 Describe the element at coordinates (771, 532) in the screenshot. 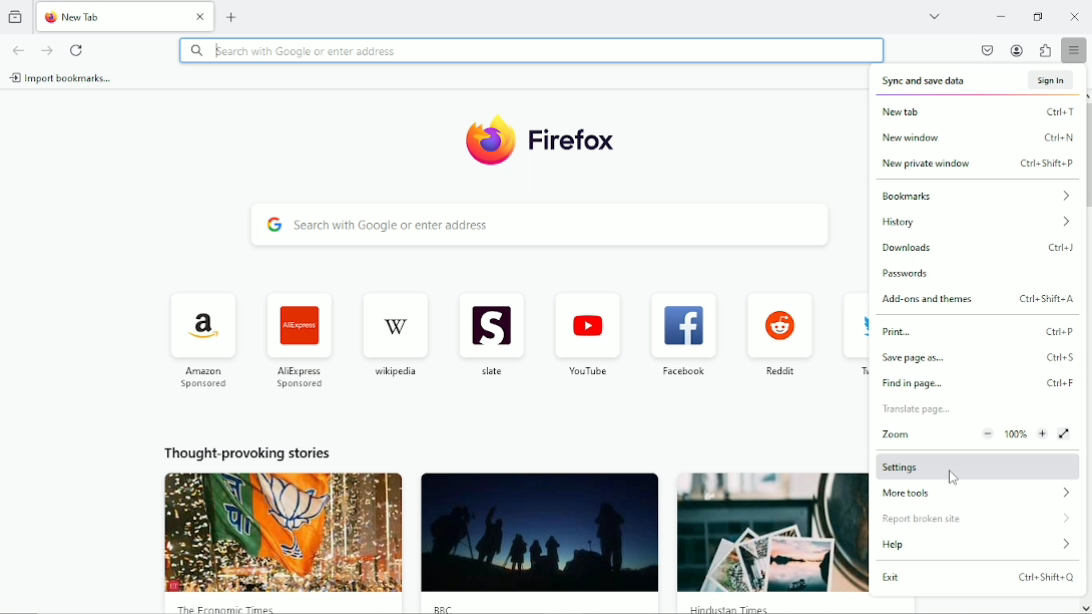

I see `image` at that location.